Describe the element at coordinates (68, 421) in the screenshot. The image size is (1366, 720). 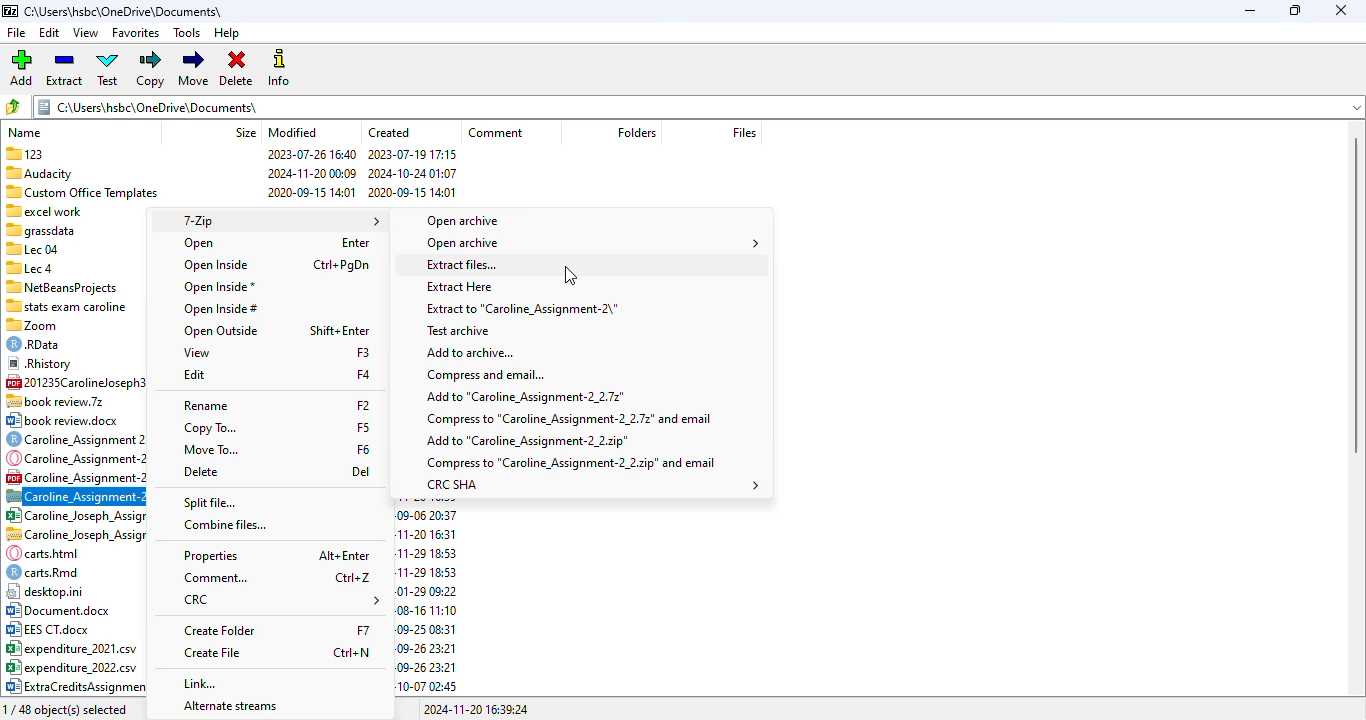
I see `03: book review.docx 12655 2020-09-24 10:44 2020-09-25 08:31` at that location.